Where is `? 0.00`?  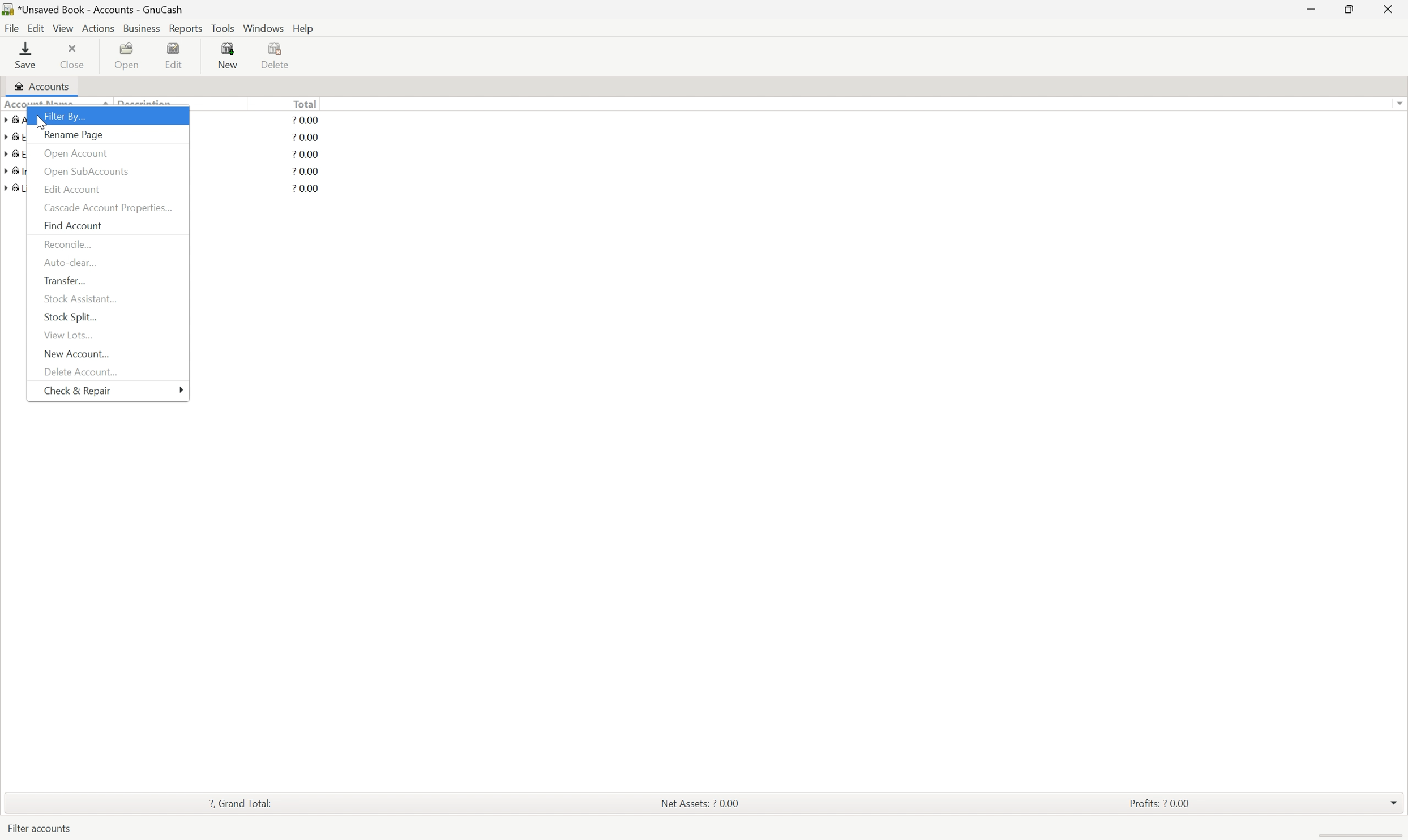
? 0.00 is located at coordinates (306, 119).